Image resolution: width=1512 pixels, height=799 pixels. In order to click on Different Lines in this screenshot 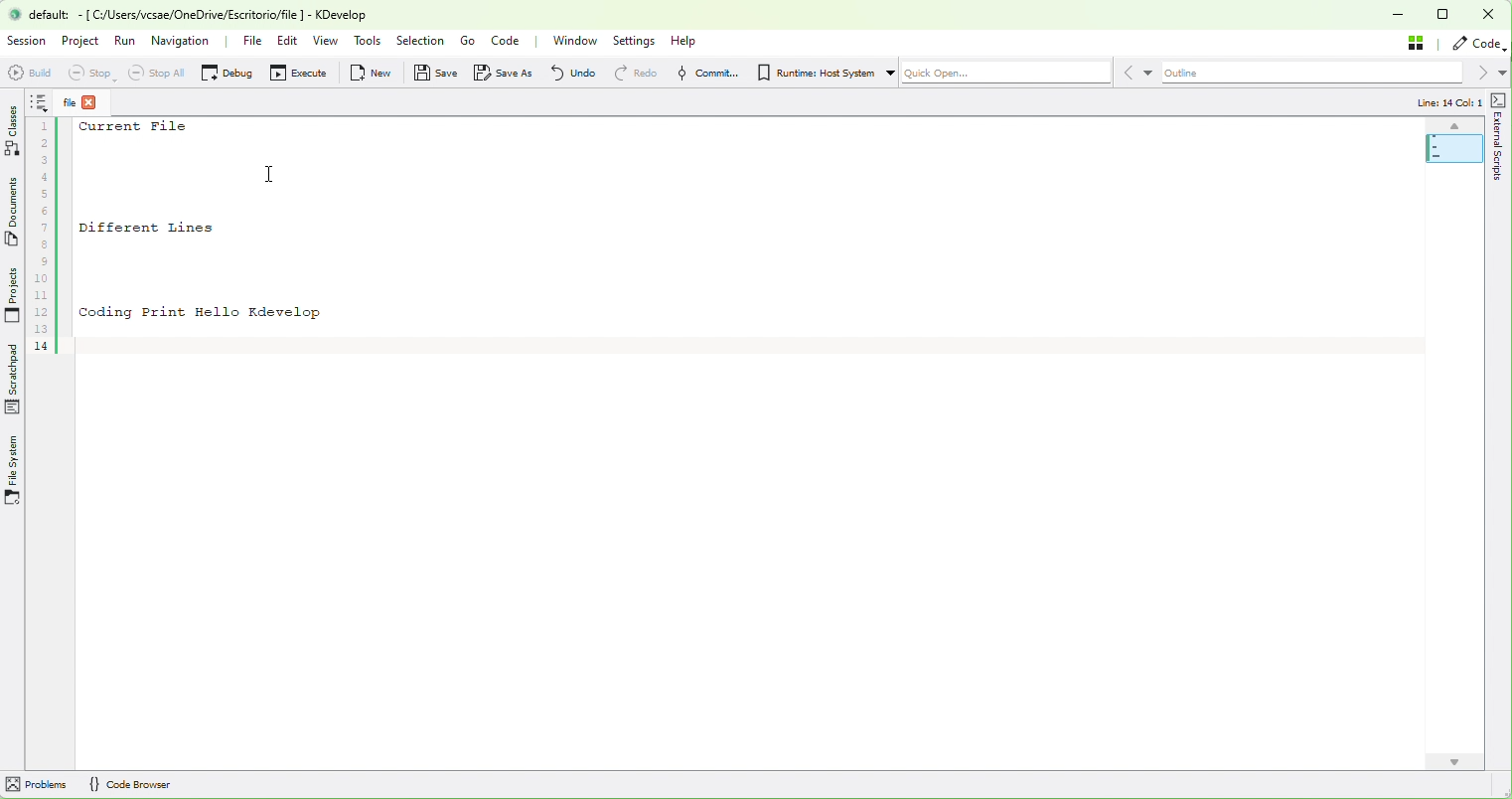, I will do `click(145, 229)`.